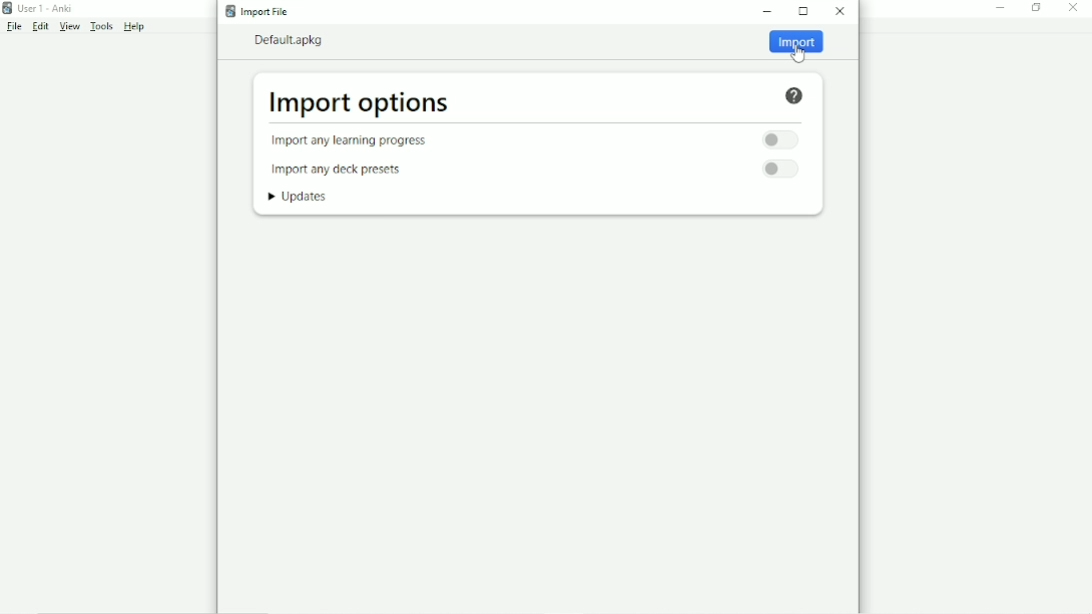 This screenshot has height=614, width=1092. I want to click on File, so click(15, 26).